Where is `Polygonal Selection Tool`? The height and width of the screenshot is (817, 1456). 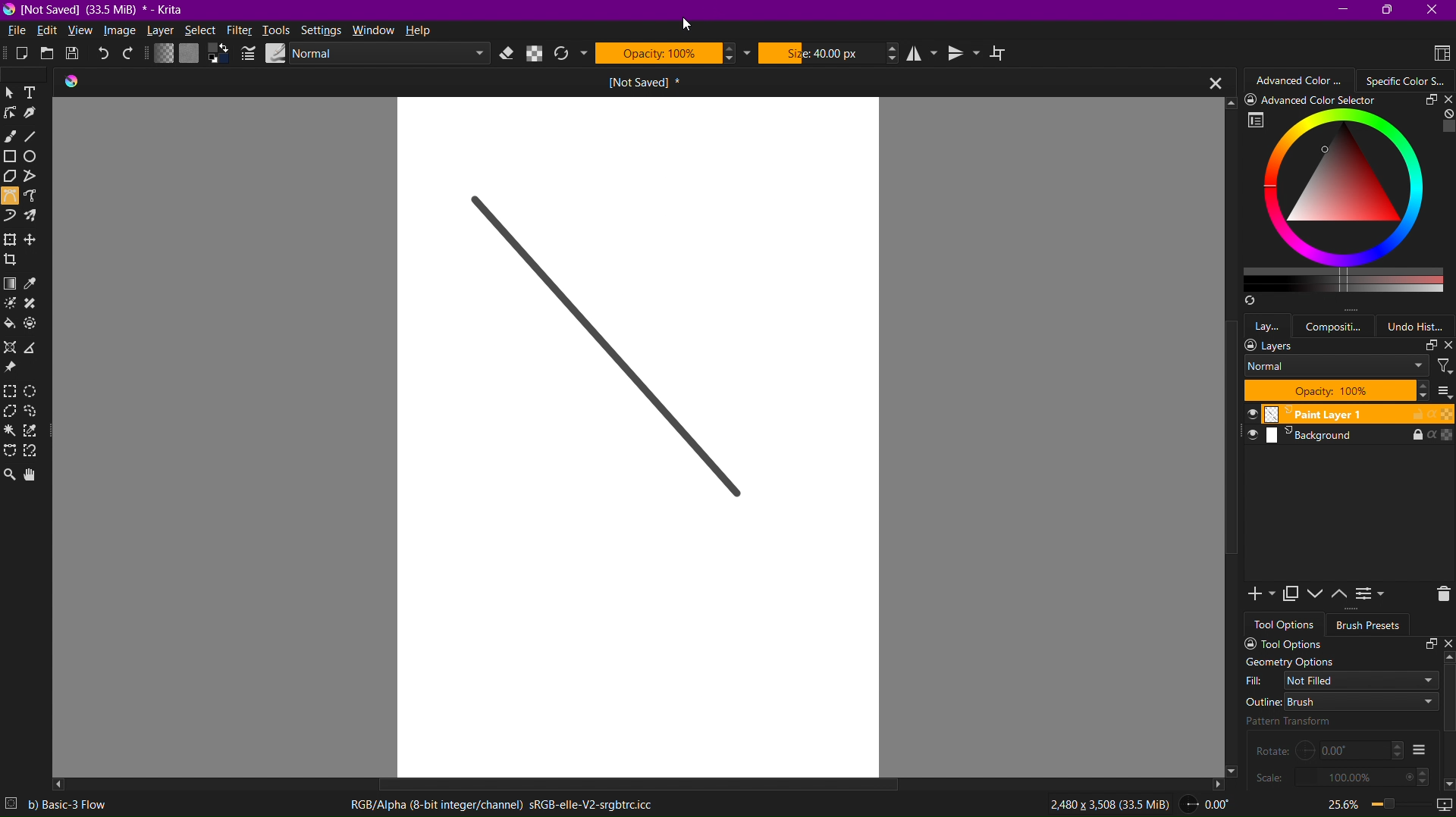
Polygonal Selection Tool is located at coordinates (12, 412).